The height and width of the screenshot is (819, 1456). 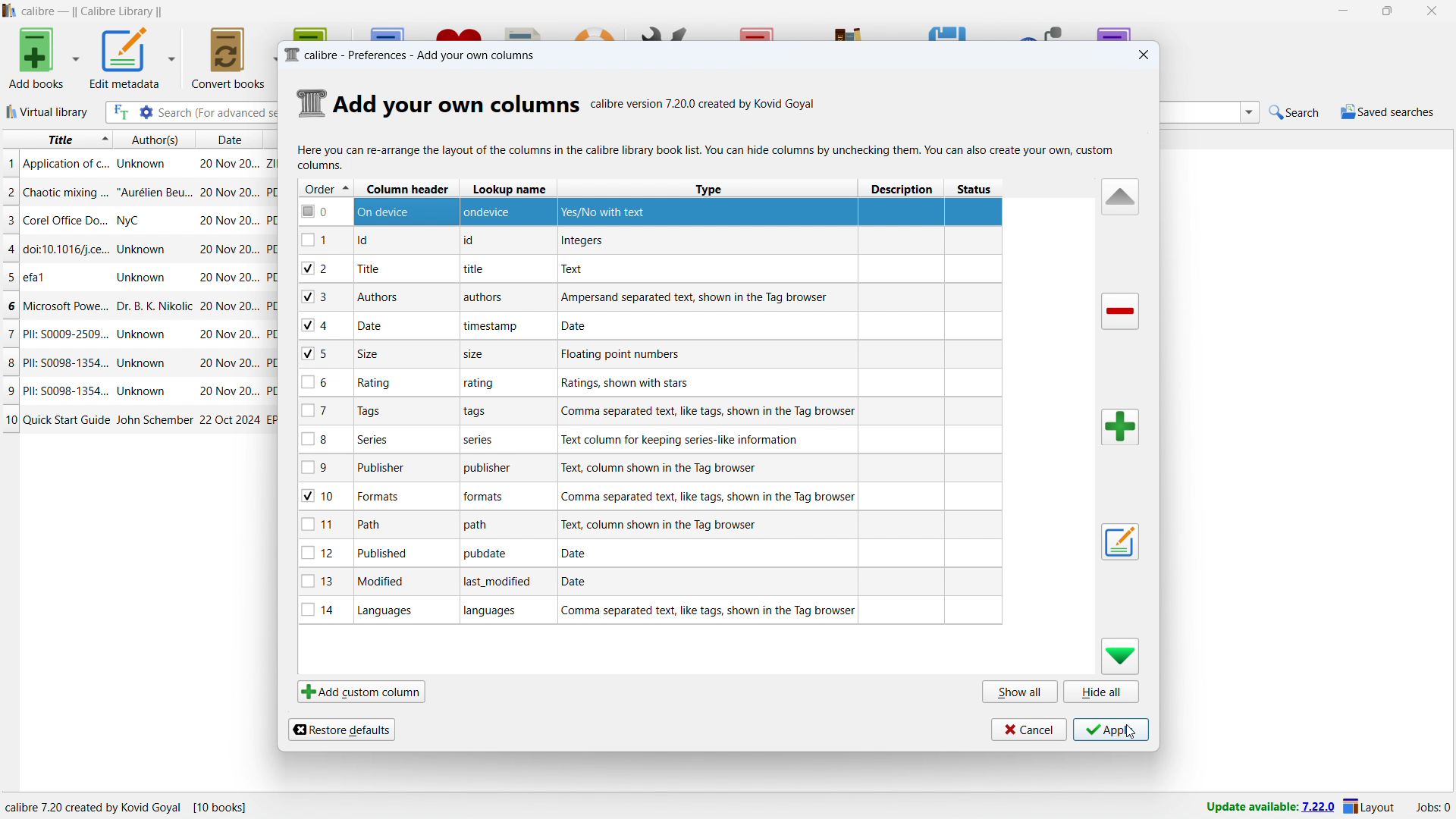 What do you see at coordinates (494, 211) in the screenshot?
I see `ondevice` at bounding box center [494, 211].